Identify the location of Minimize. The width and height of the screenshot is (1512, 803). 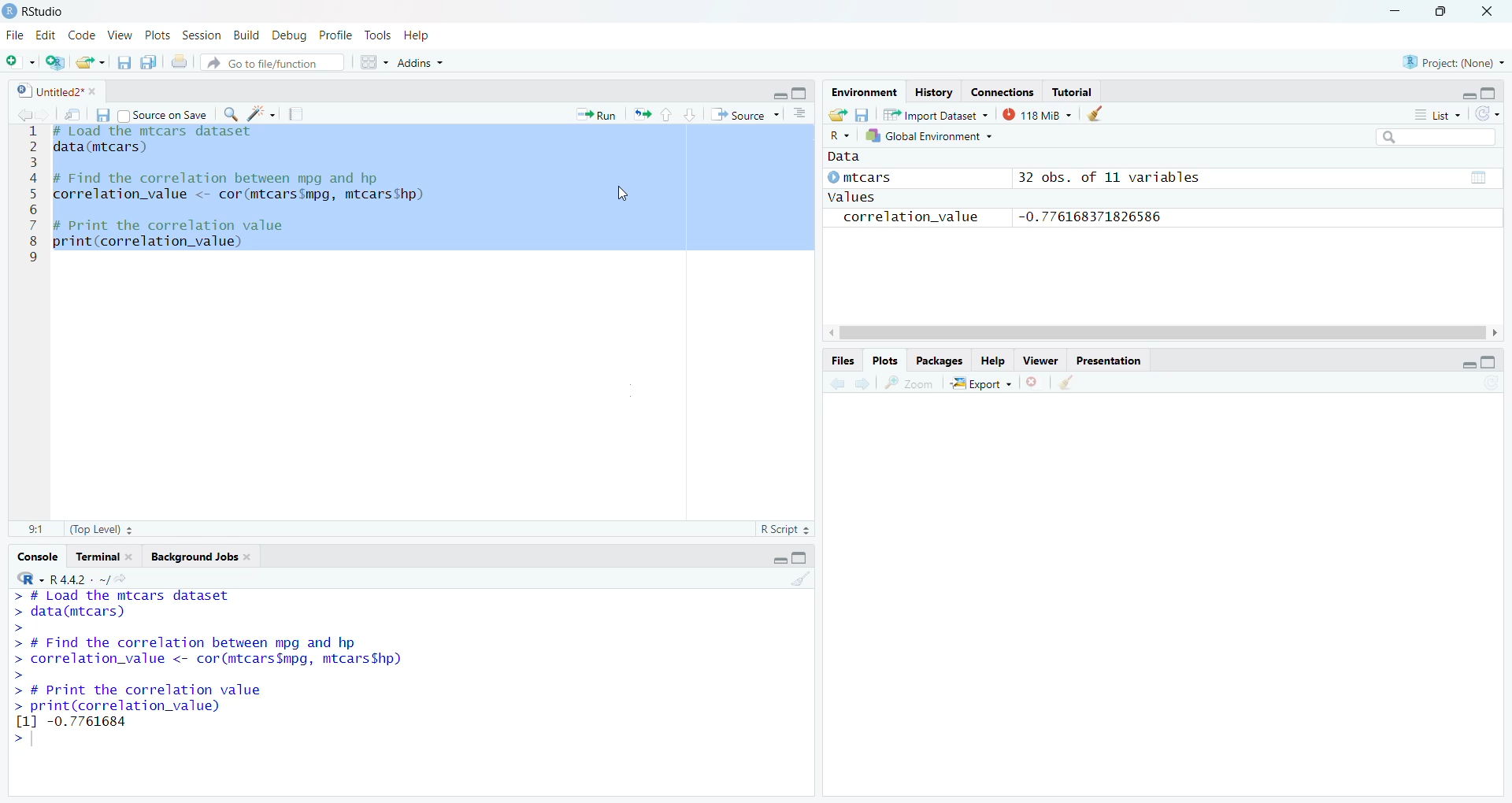
(776, 559).